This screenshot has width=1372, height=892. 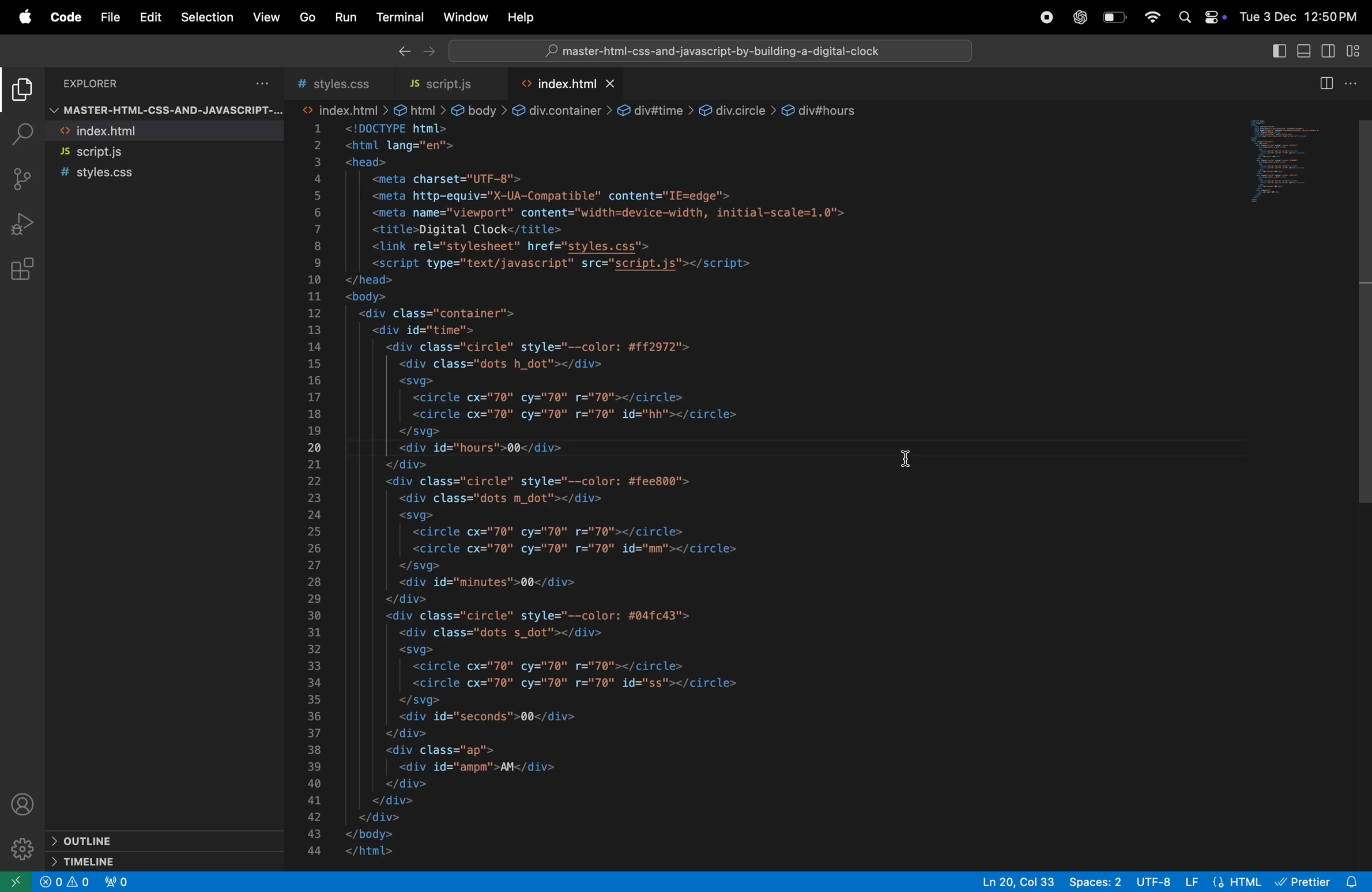 What do you see at coordinates (344, 17) in the screenshot?
I see `run` at bounding box center [344, 17].